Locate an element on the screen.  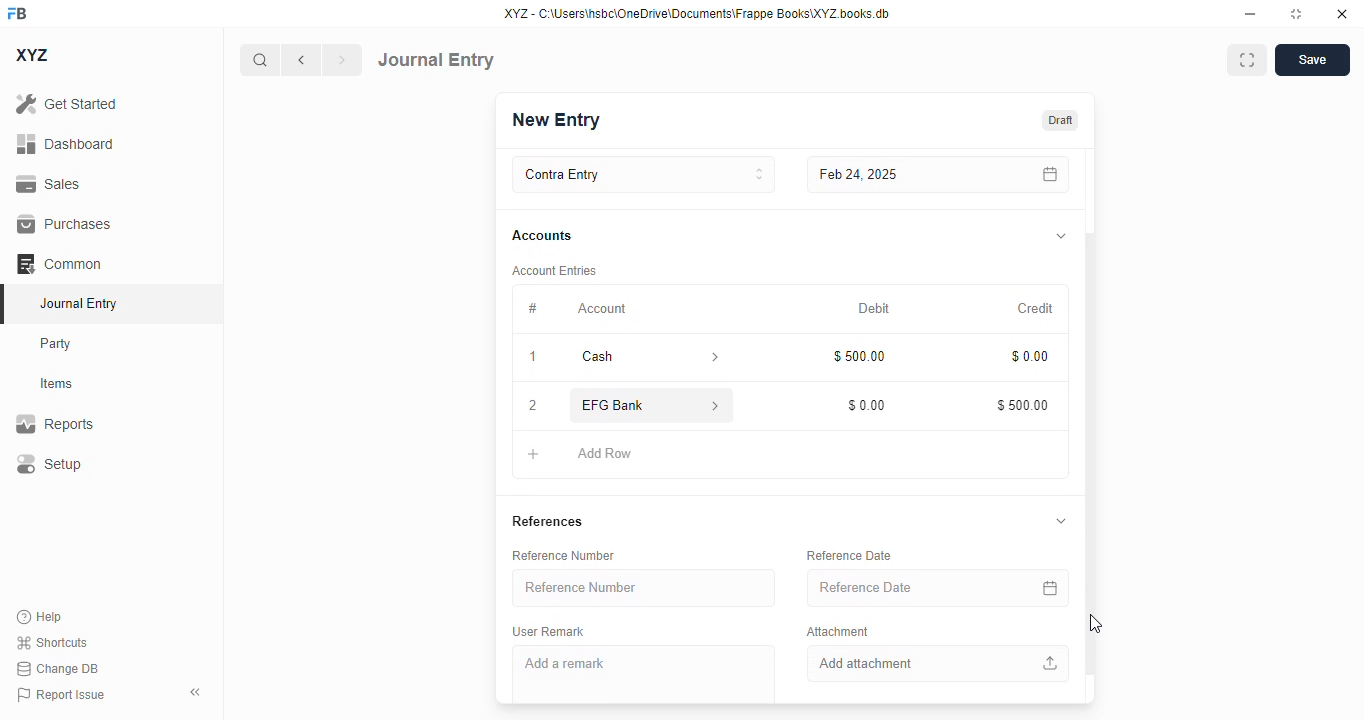
help is located at coordinates (40, 617).